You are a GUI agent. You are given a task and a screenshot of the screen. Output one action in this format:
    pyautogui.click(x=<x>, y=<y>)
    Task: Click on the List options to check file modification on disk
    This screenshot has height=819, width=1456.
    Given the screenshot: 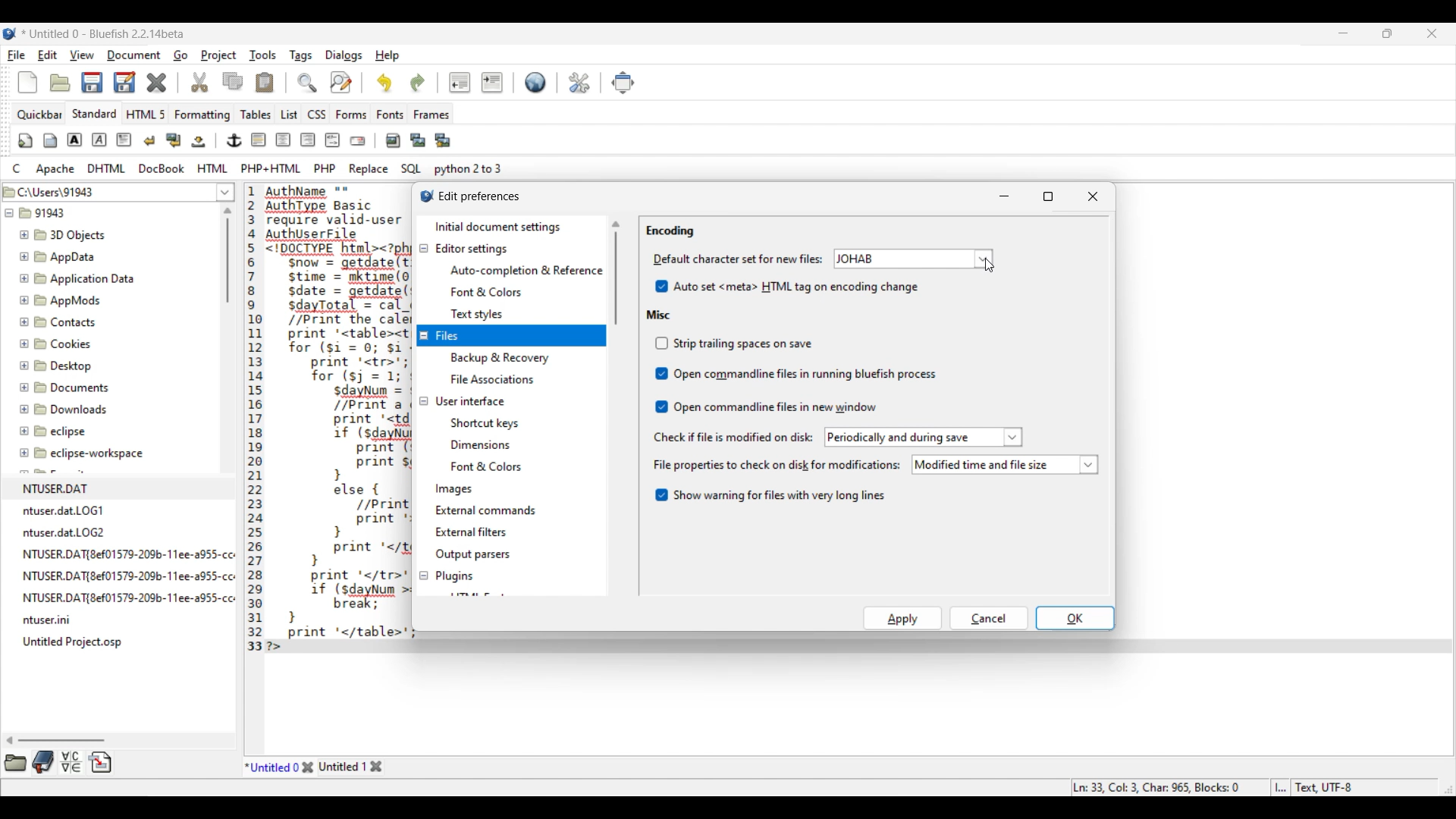 What is the action you would take?
    pyautogui.click(x=924, y=438)
    